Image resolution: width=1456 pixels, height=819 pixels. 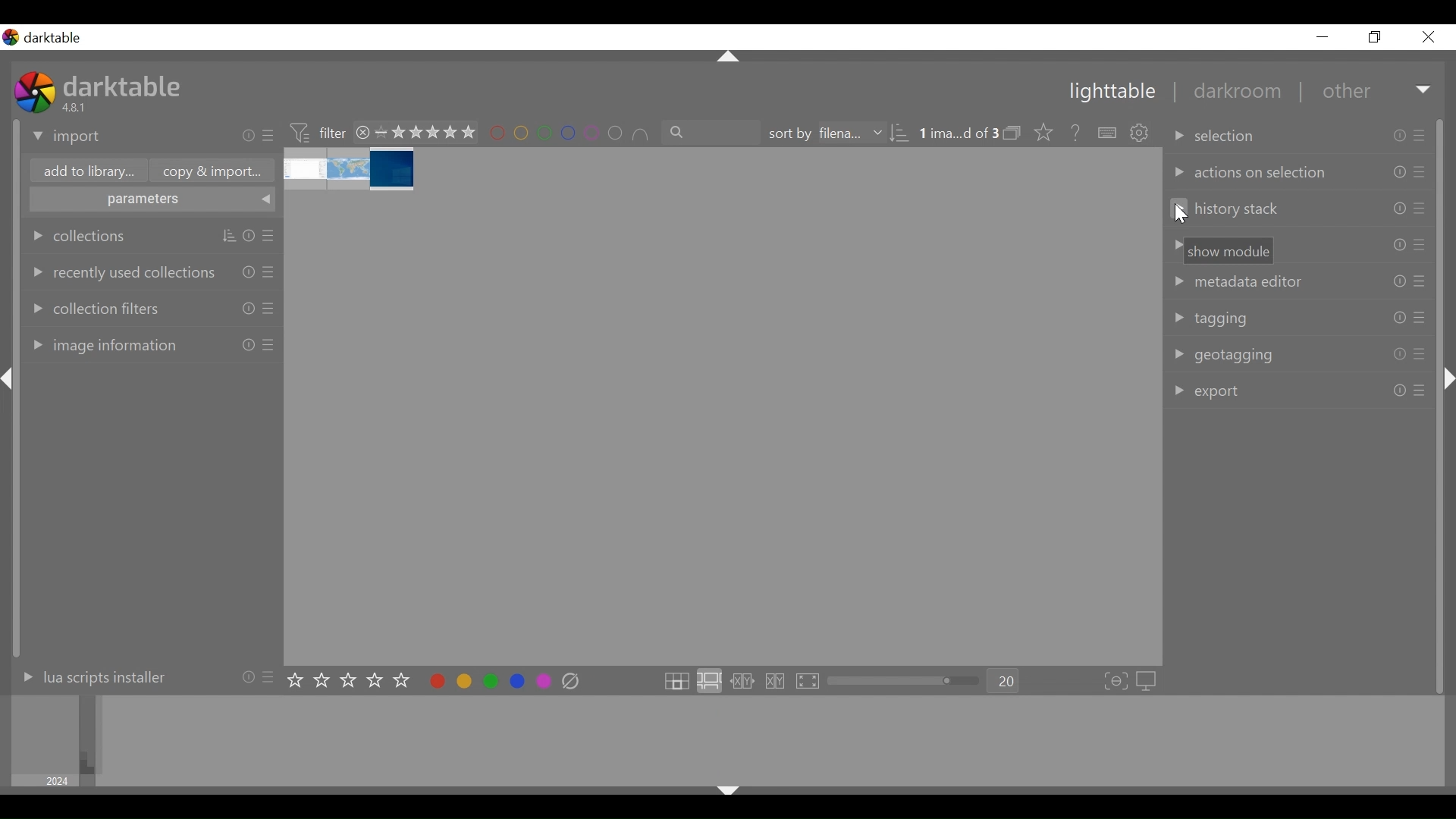 I want to click on darkroom, so click(x=1231, y=93).